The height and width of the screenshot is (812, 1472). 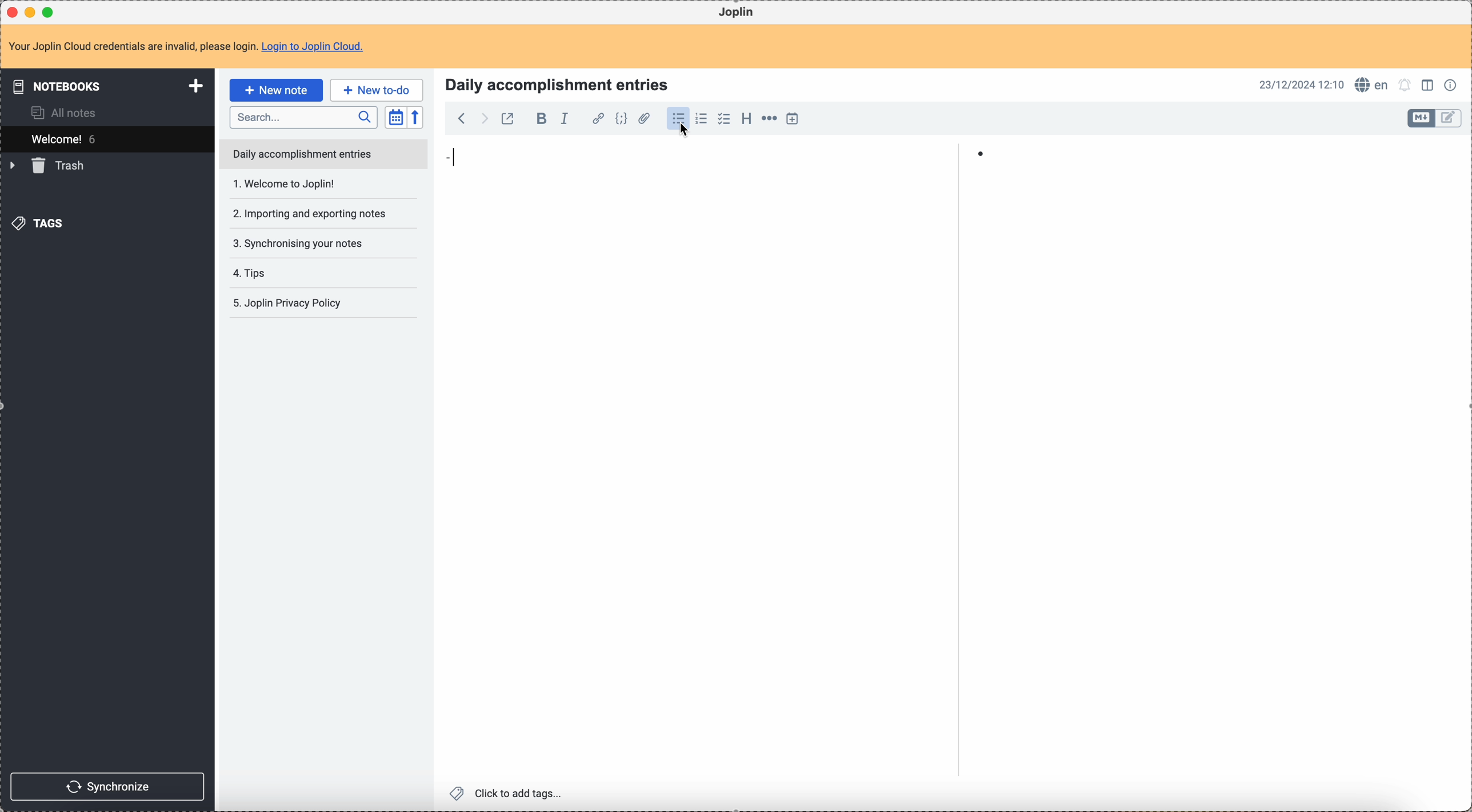 I want to click on close Joplin, so click(x=14, y=12).